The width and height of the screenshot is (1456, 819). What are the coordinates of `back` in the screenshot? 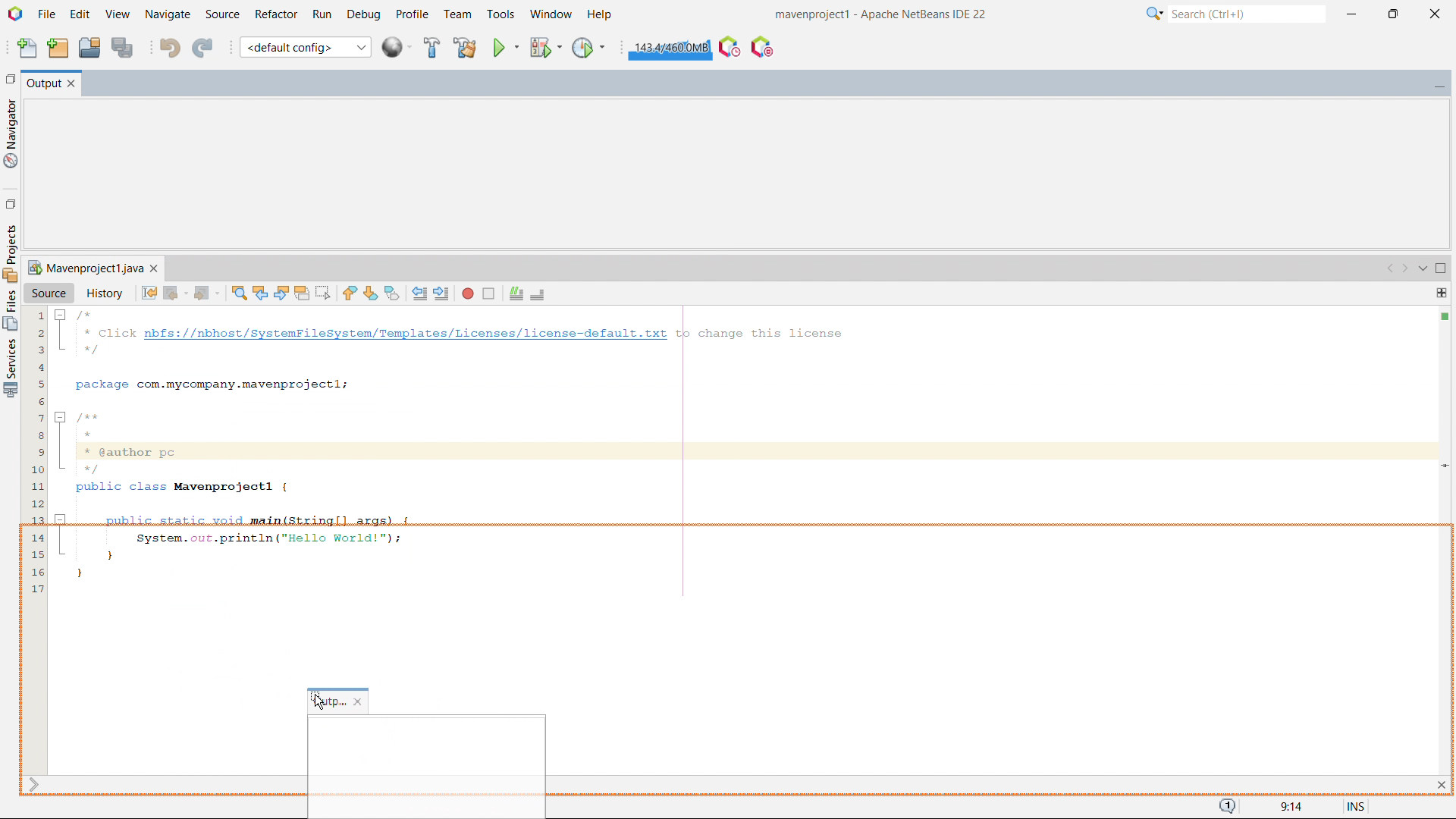 It's located at (175, 293).